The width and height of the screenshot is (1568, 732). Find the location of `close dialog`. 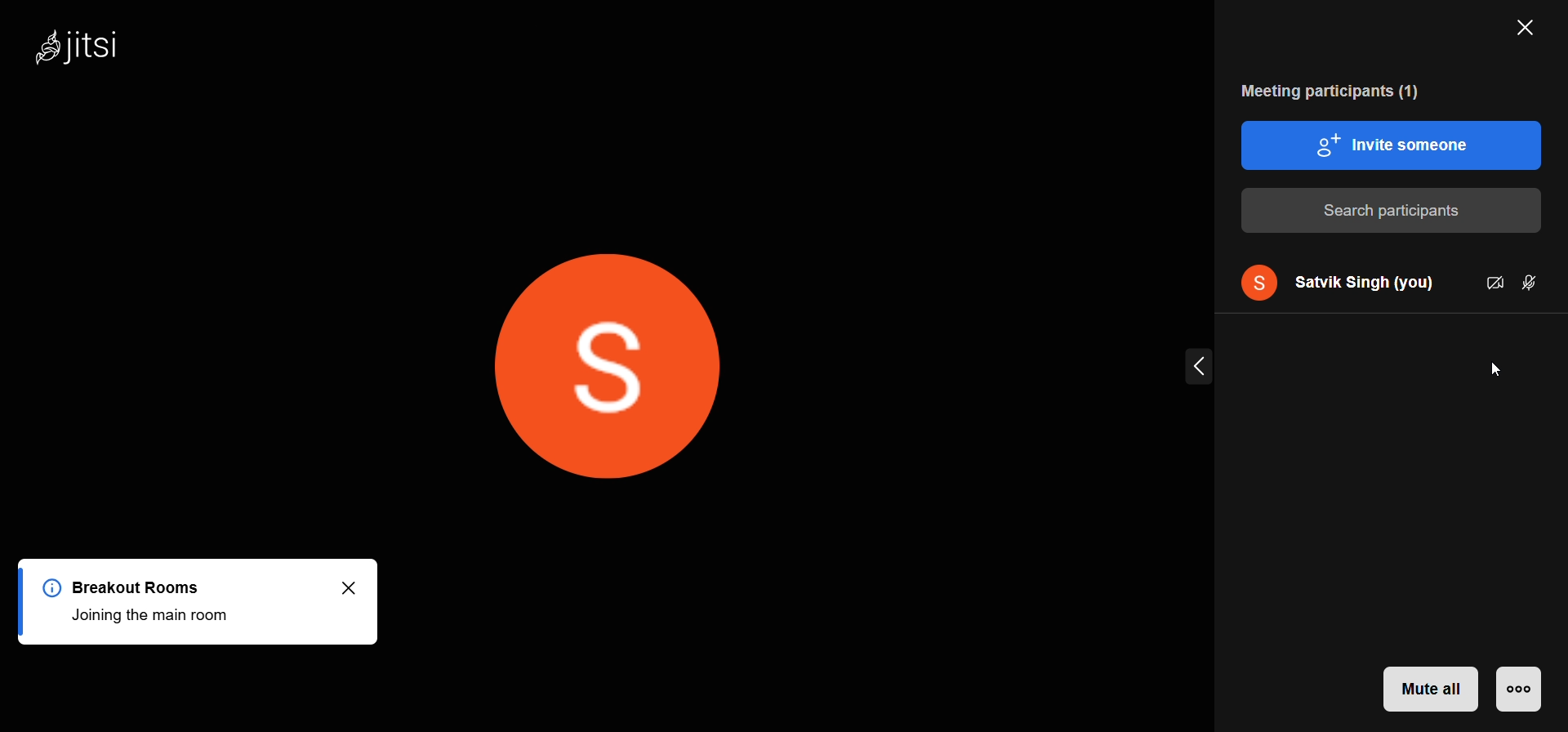

close dialog is located at coordinates (359, 587).